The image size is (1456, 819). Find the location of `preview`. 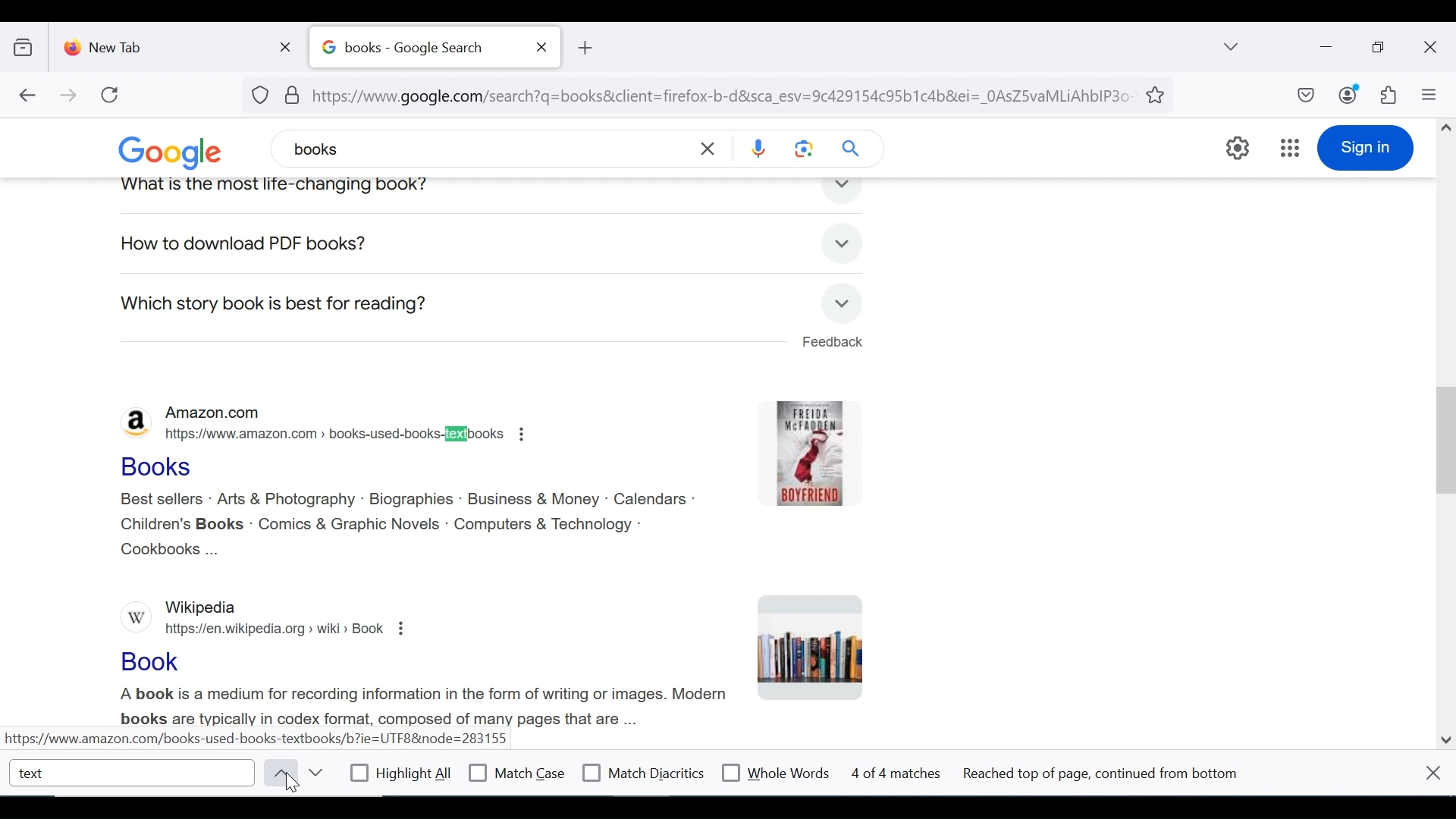

preview is located at coordinates (814, 647).